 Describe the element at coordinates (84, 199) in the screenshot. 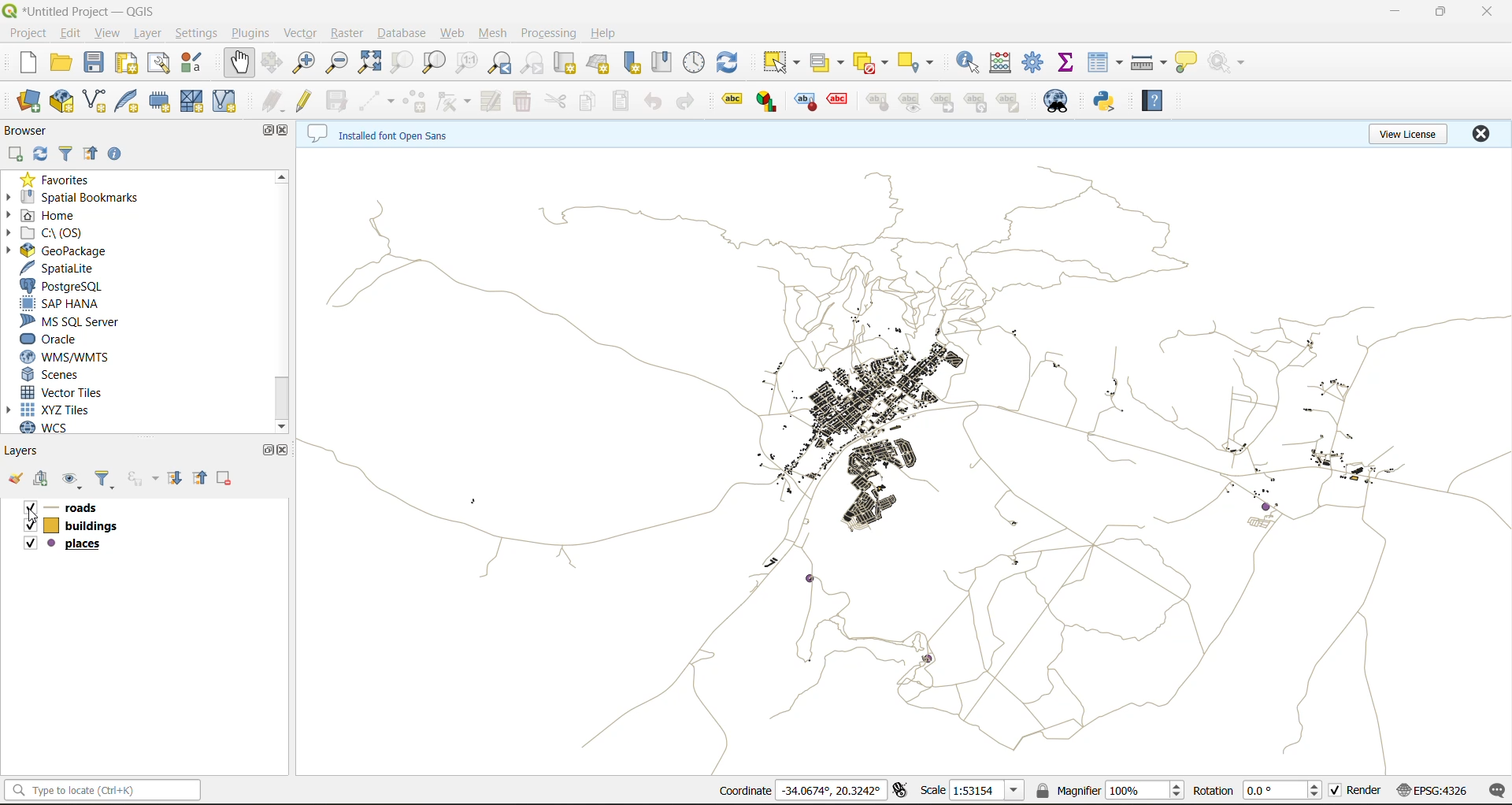

I see `spatial  bookmarks` at that location.